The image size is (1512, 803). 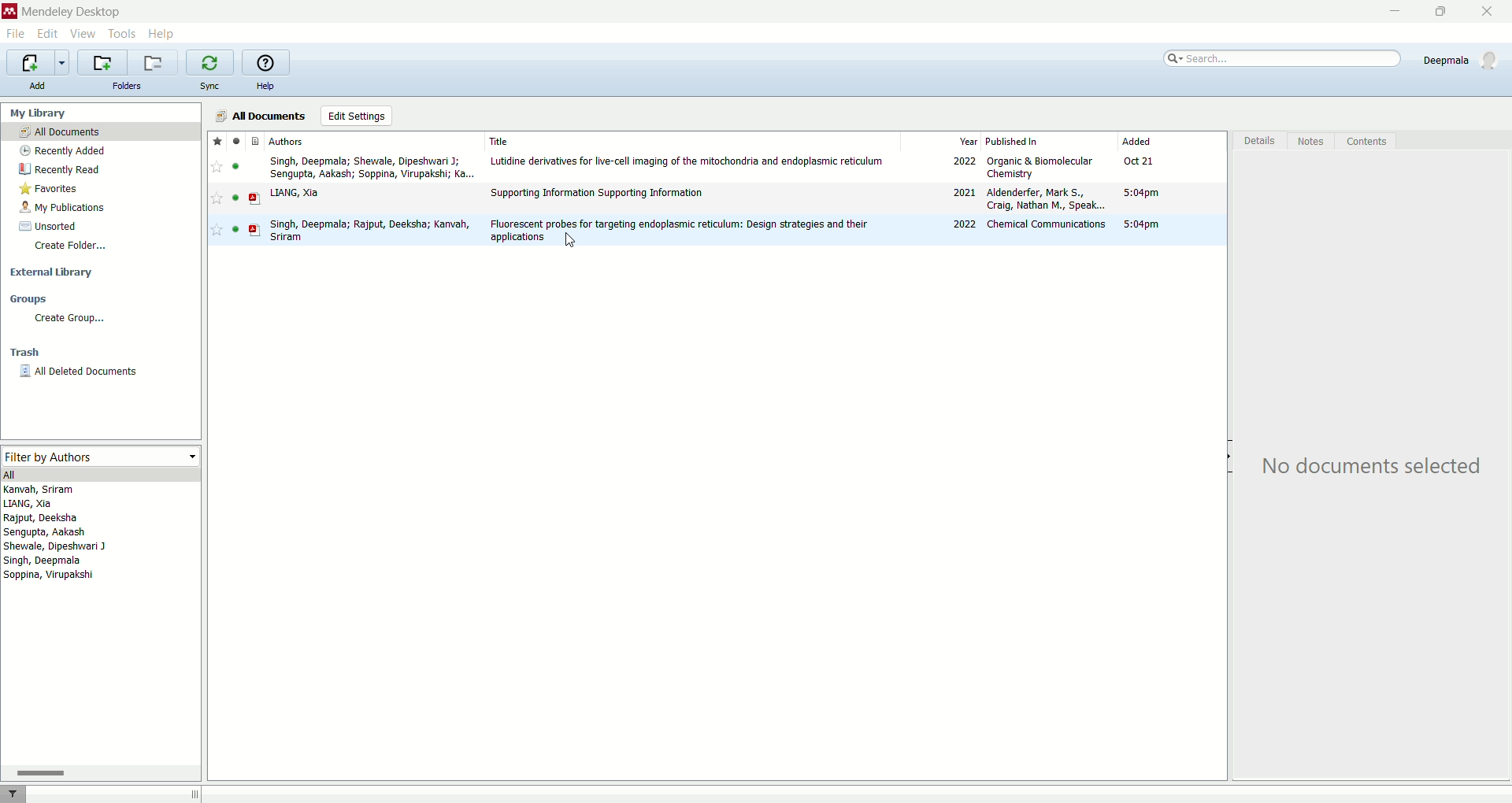 I want to click on content, so click(x=1367, y=142).